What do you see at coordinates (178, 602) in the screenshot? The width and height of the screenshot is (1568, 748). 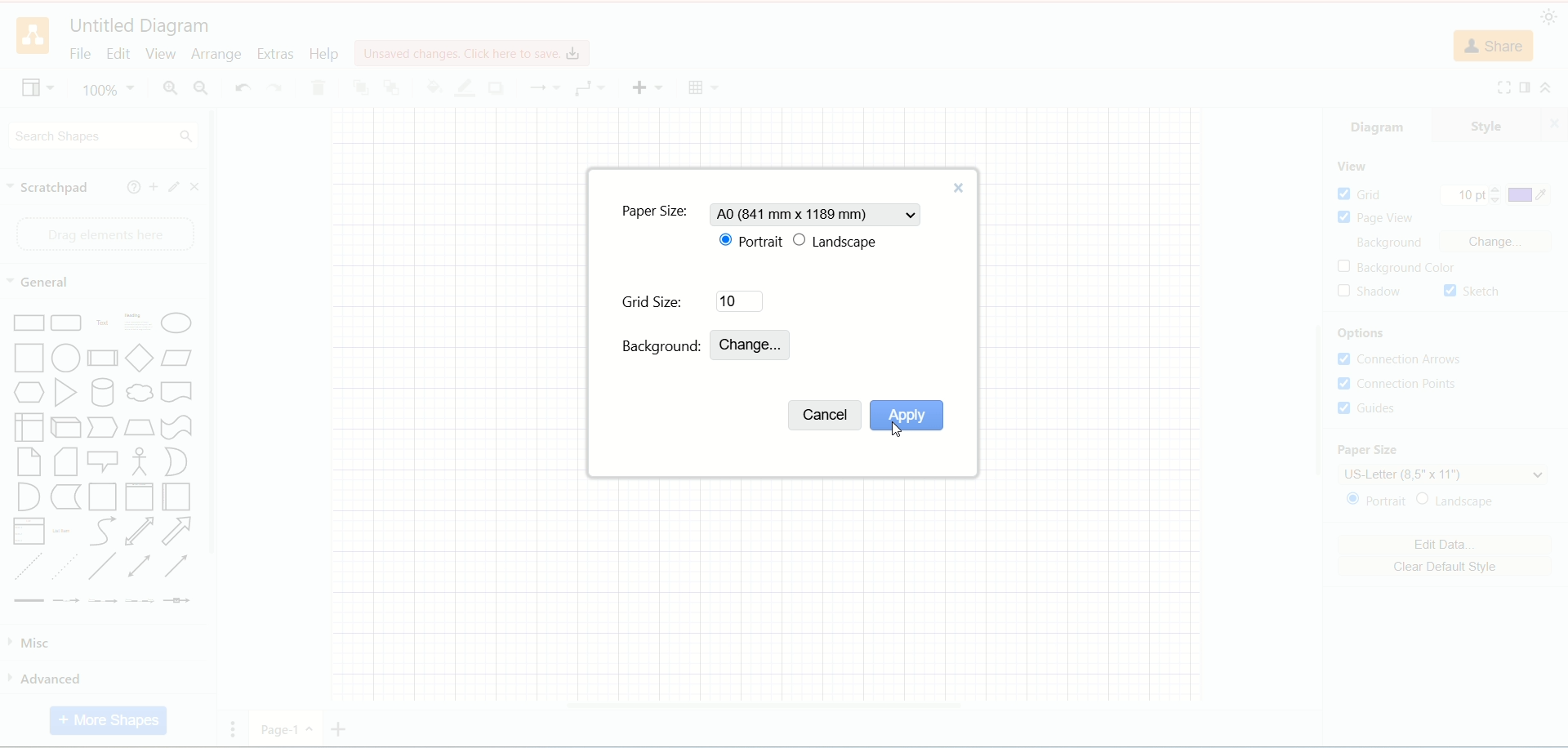 I see `Connector with Icon Symbol` at bounding box center [178, 602].